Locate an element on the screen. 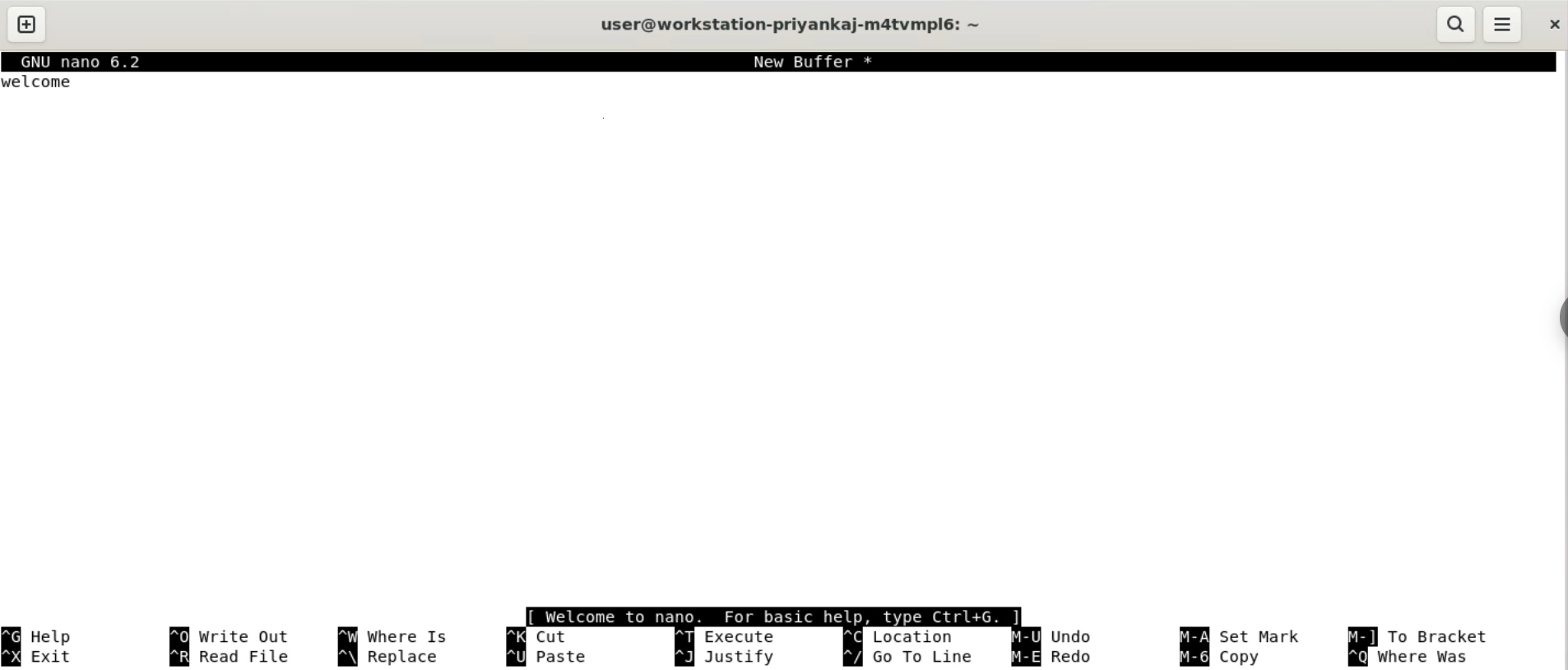 The image size is (1568, 670). paste is located at coordinates (554, 658).